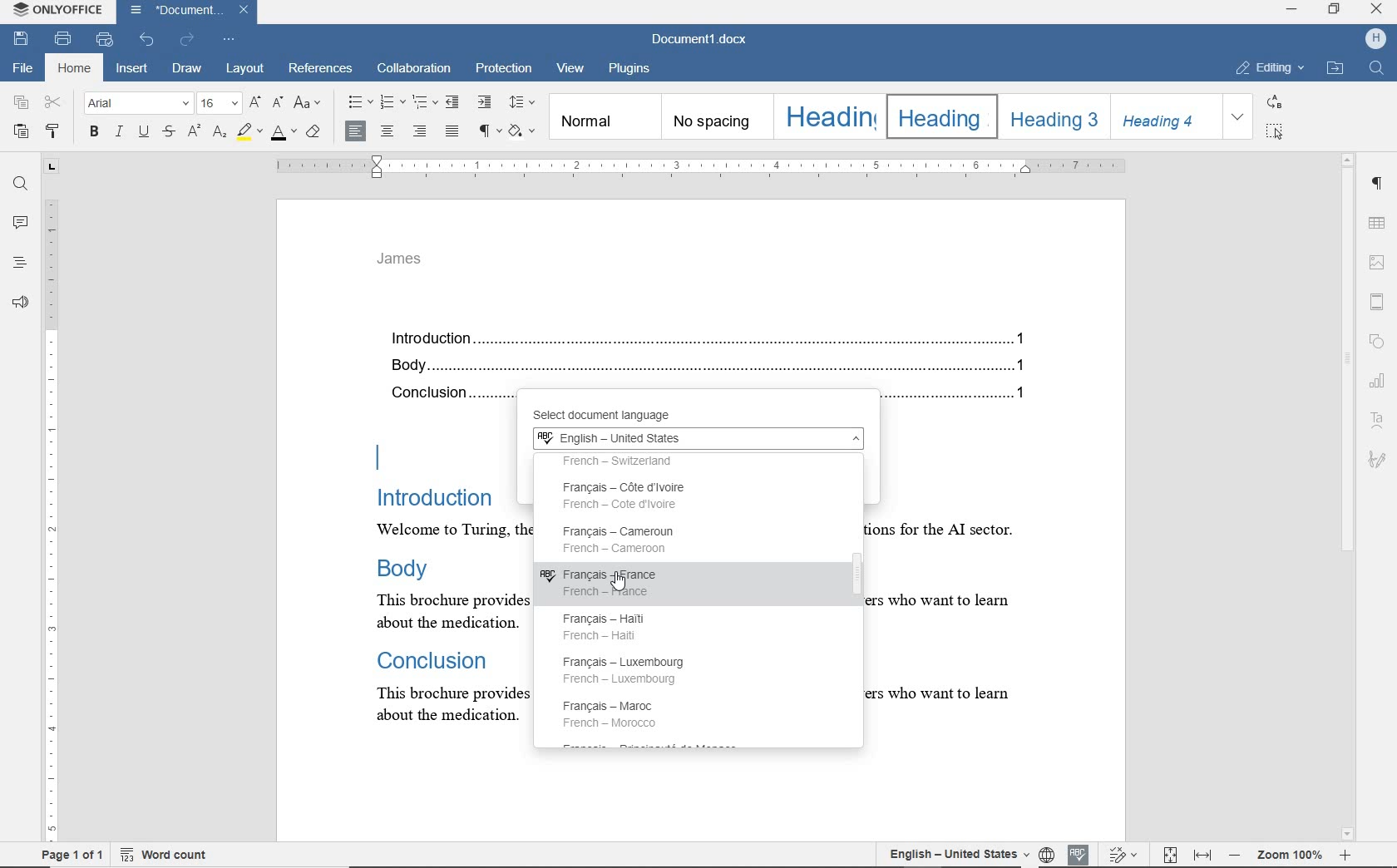 This screenshot has height=868, width=1397. I want to click on insert, so click(131, 69).